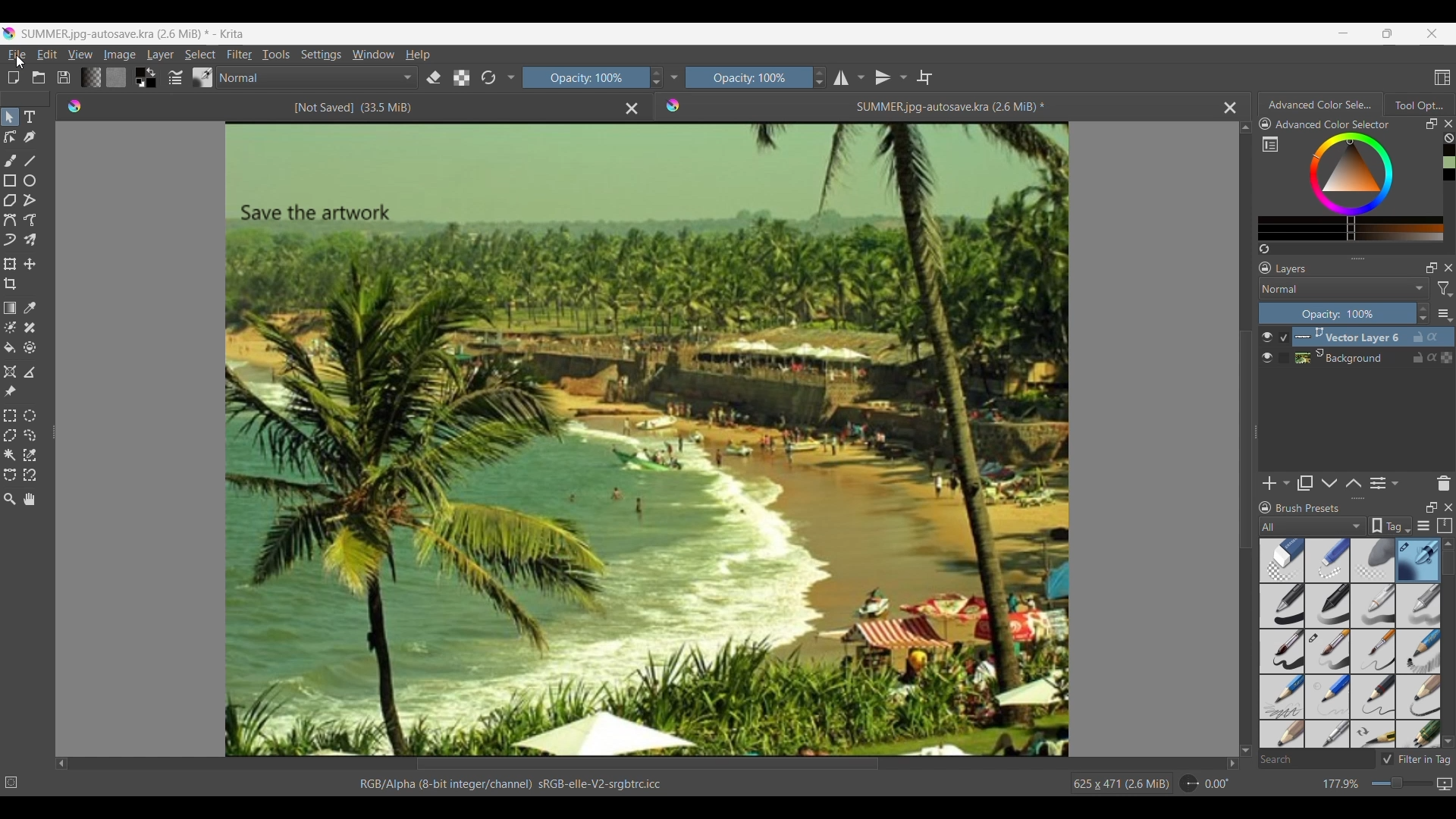  Describe the element at coordinates (1254, 453) in the screenshot. I see `Change width of panels attached to this line` at that location.